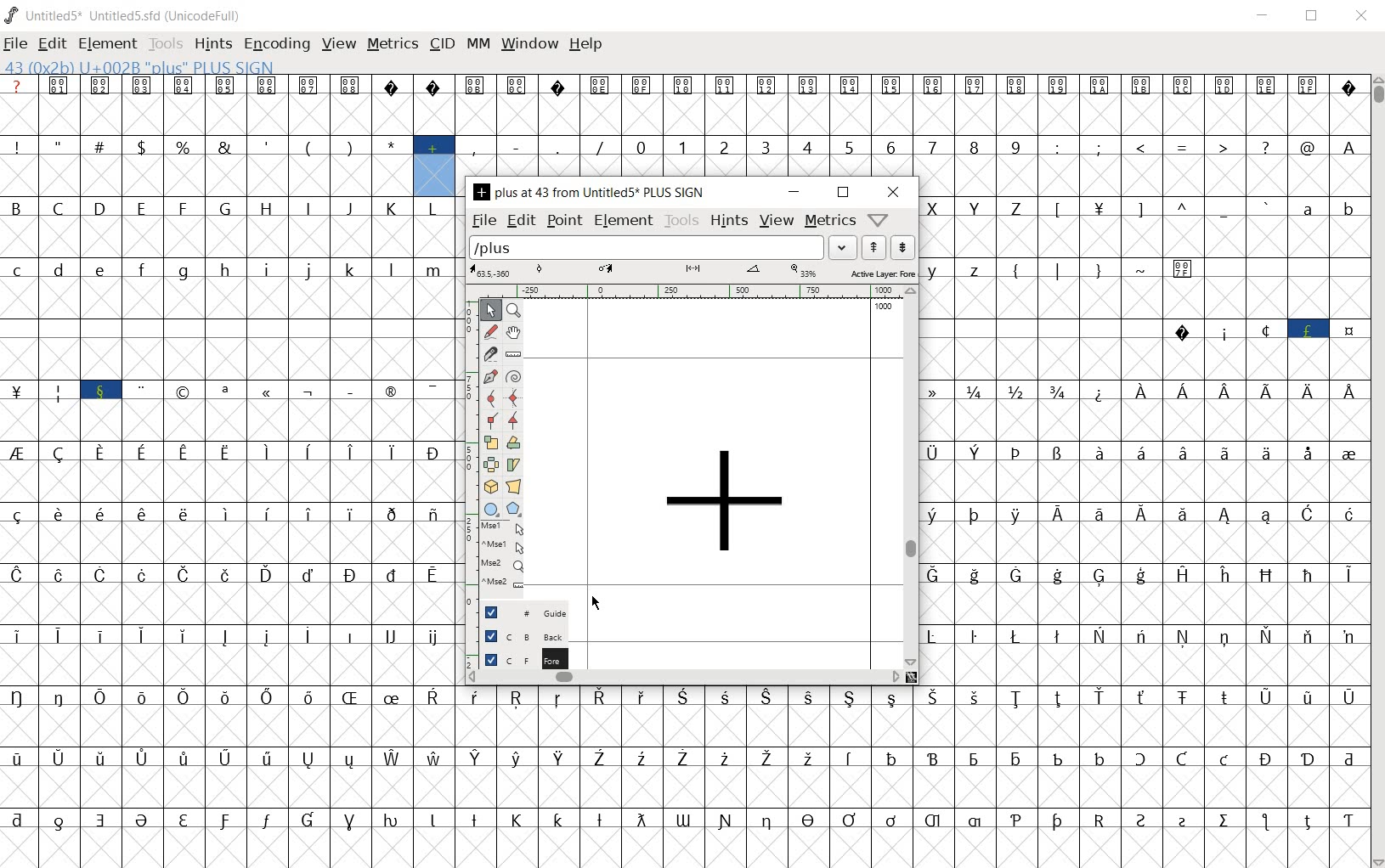 The width and height of the screenshot is (1385, 868). I want to click on file, so click(16, 43).